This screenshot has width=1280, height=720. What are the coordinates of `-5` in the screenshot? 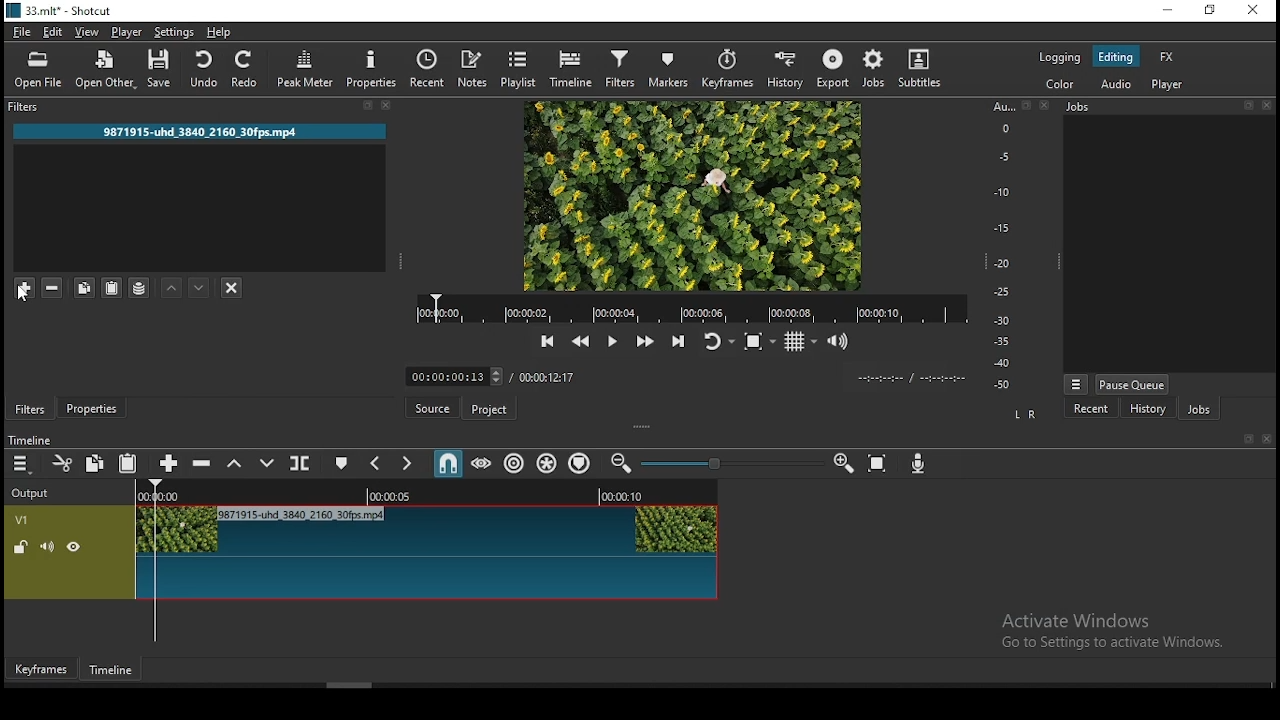 It's located at (1007, 155).